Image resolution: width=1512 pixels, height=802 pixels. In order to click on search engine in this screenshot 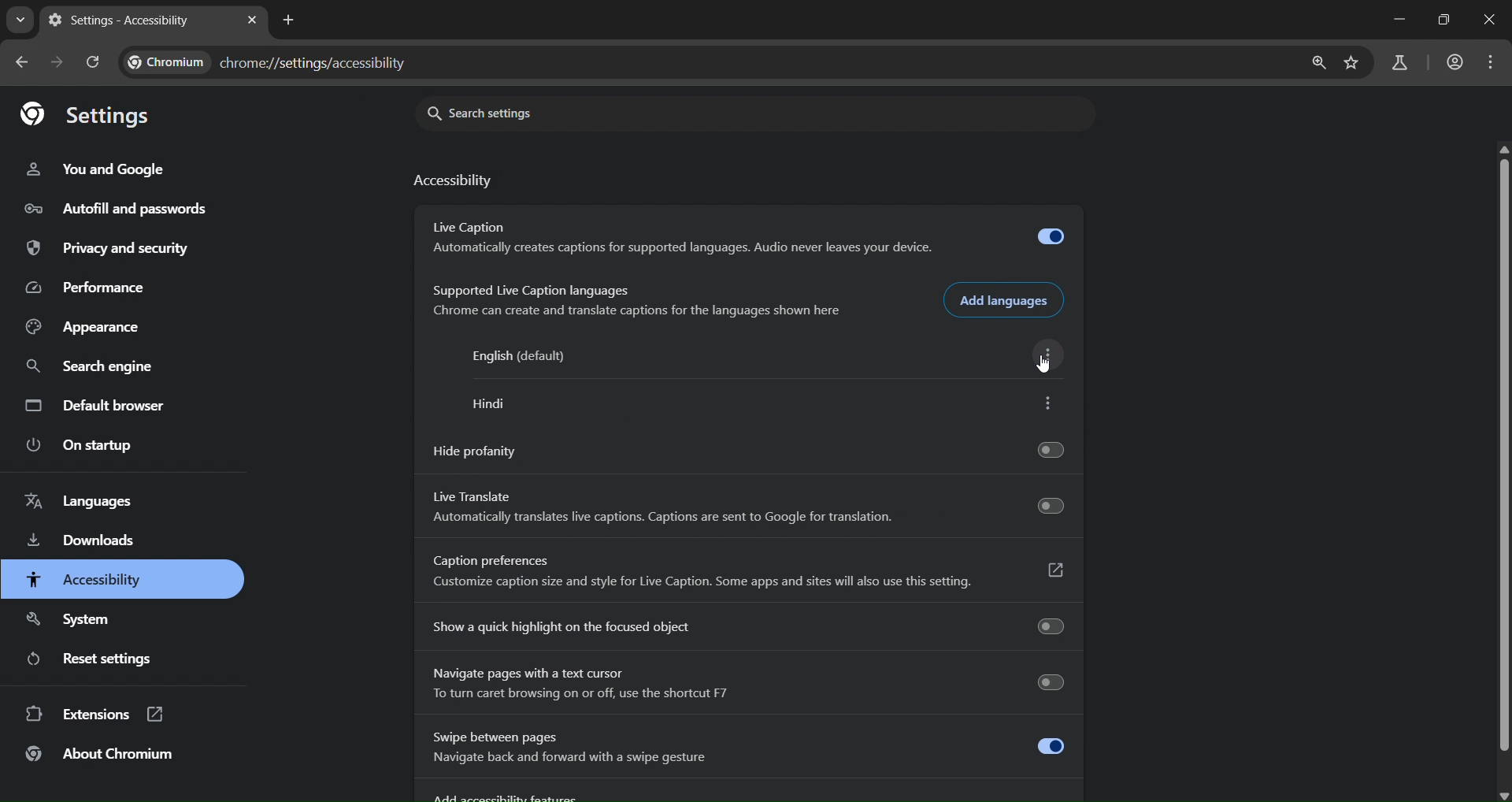, I will do `click(91, 366)`.